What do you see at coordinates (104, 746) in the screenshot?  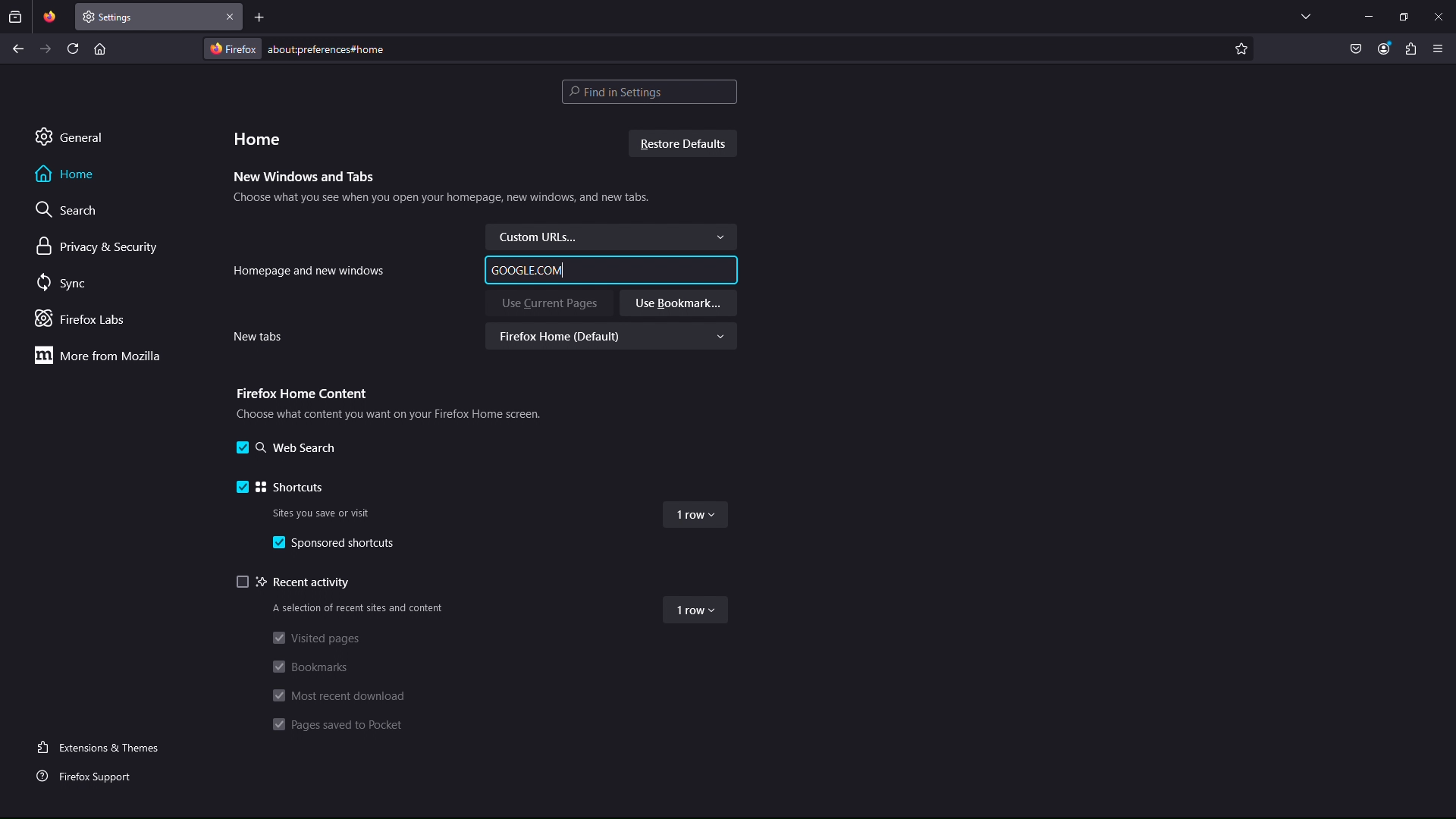 I see `Extensions and Themes` at bounding box center [104, 746].